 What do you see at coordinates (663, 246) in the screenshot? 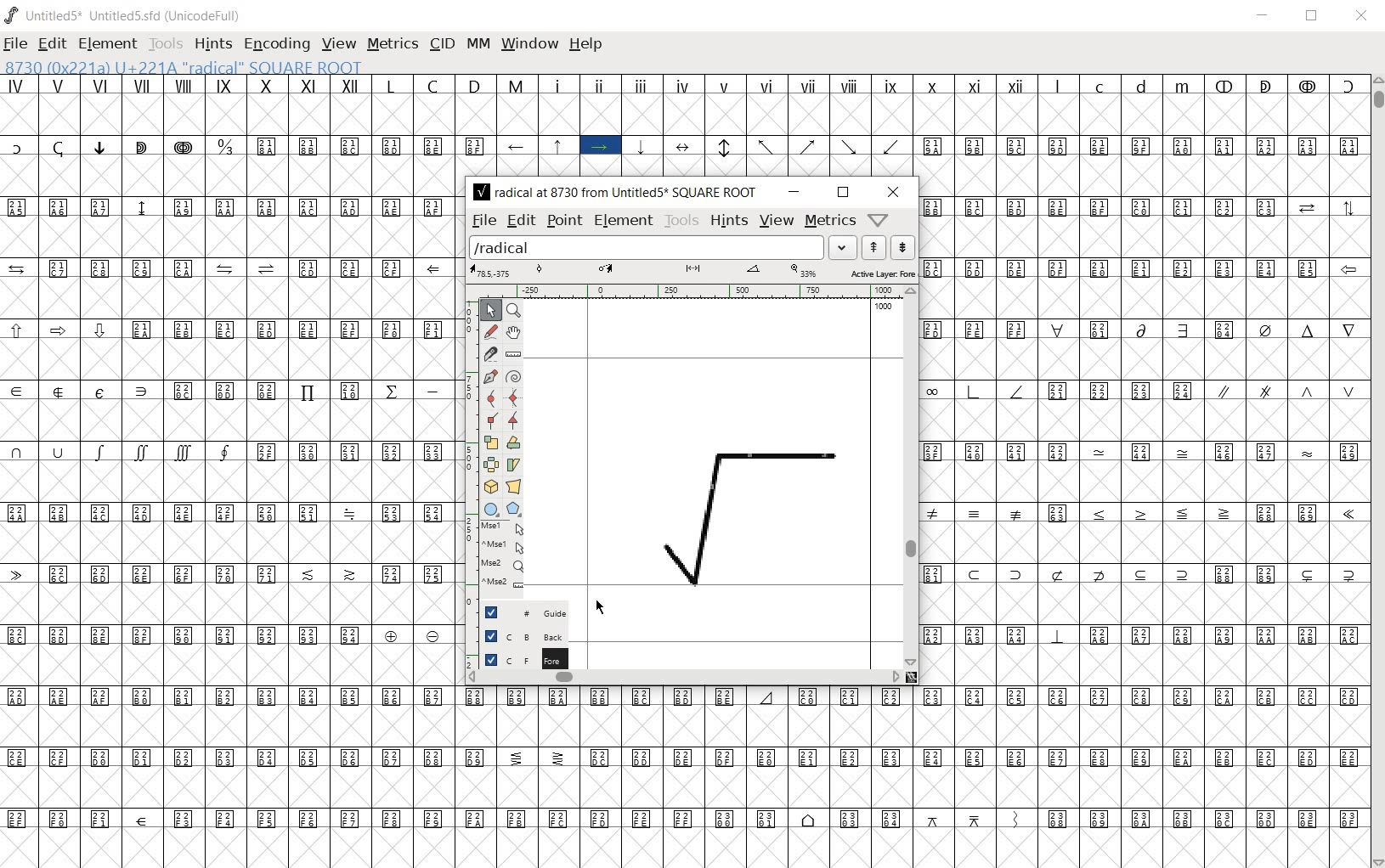
I see `load word list` at bounding box center [663, 246].